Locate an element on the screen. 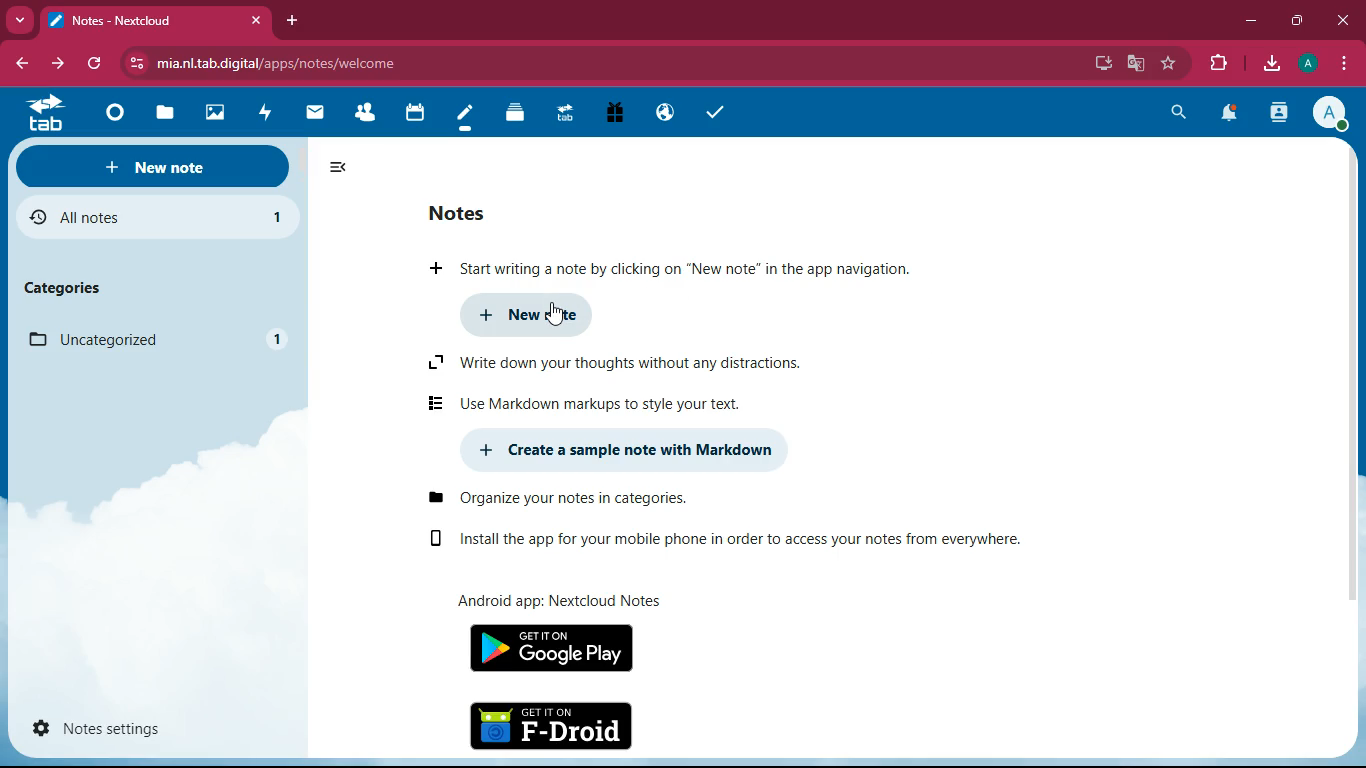 The image size is (1366, 768). android app is located at coordinates (560, 601).